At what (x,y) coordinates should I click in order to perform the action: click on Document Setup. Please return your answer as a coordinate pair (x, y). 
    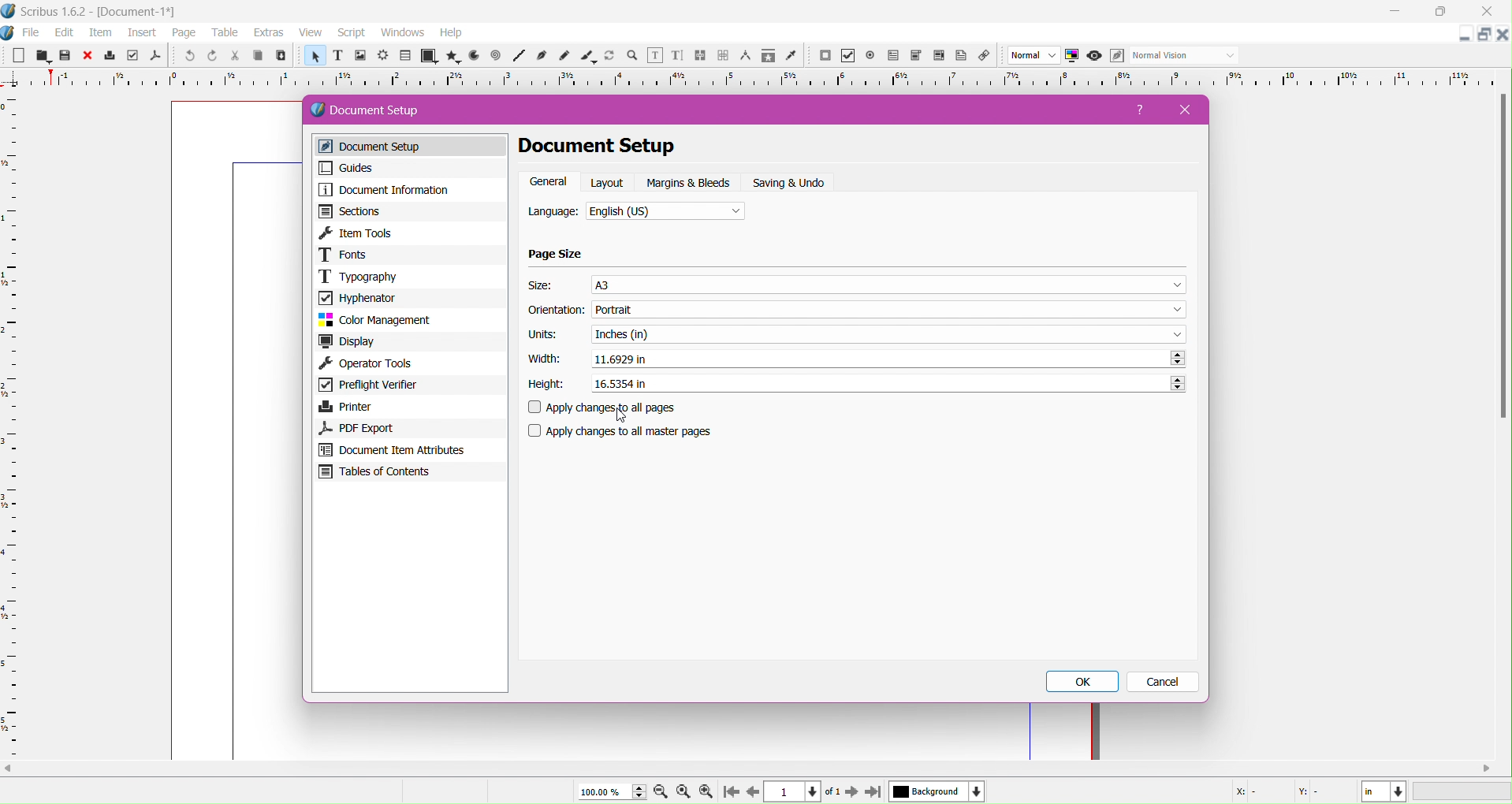
    Looking at the image, I should click on (617, 147).